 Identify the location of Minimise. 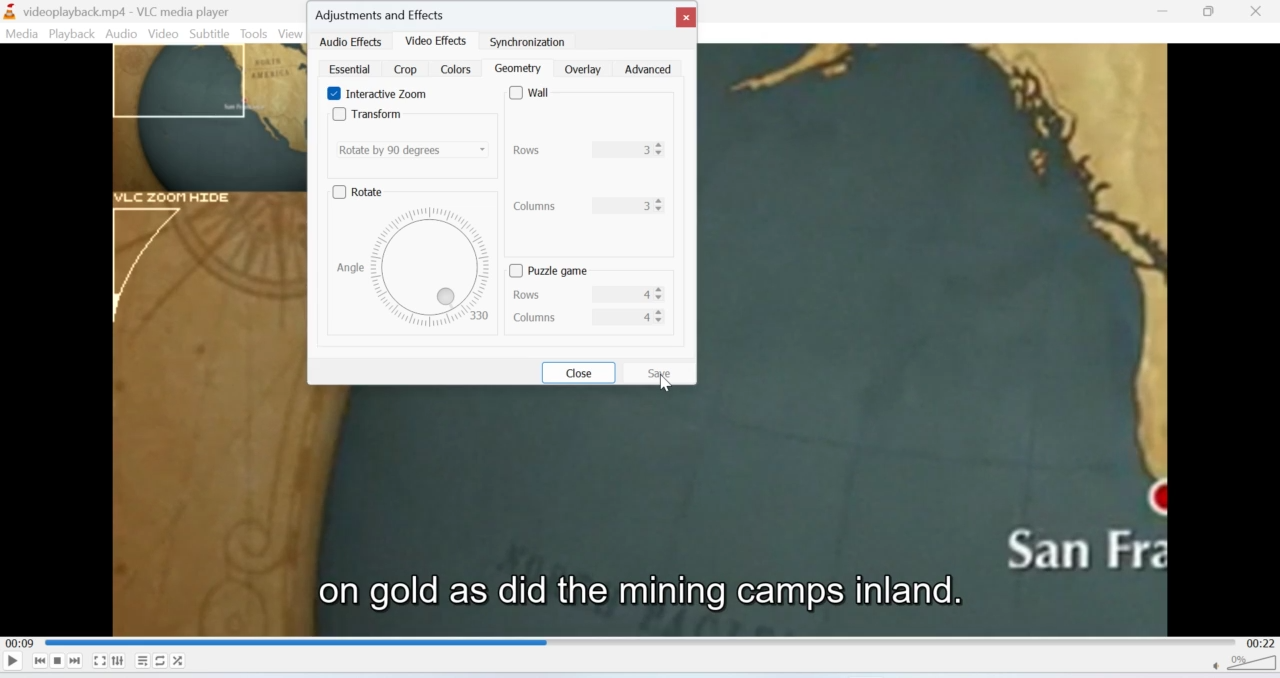
(1166, 10).